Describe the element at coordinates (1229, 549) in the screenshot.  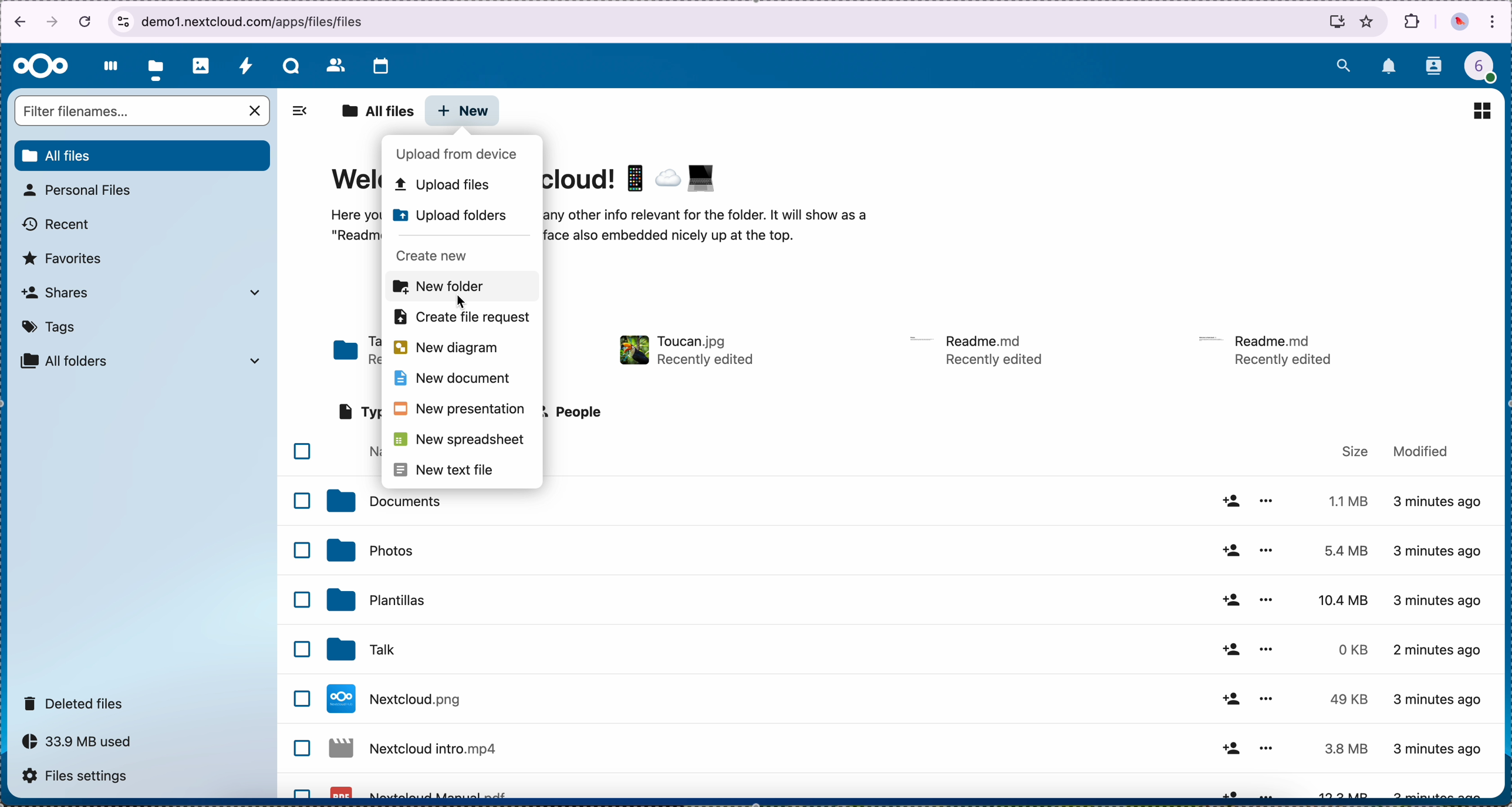
I see `share` at that location.